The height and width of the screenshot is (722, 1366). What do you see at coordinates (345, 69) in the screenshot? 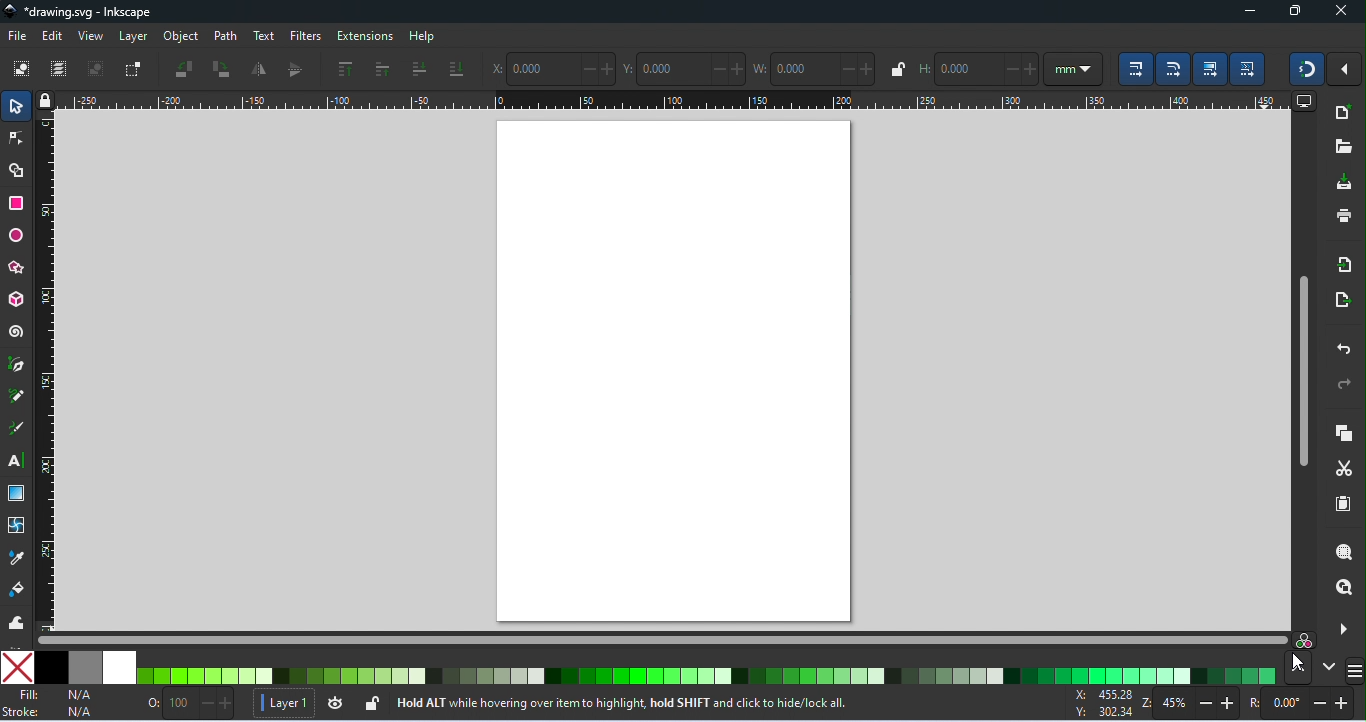
I see `raise to top` at bounding box center [345, 69].